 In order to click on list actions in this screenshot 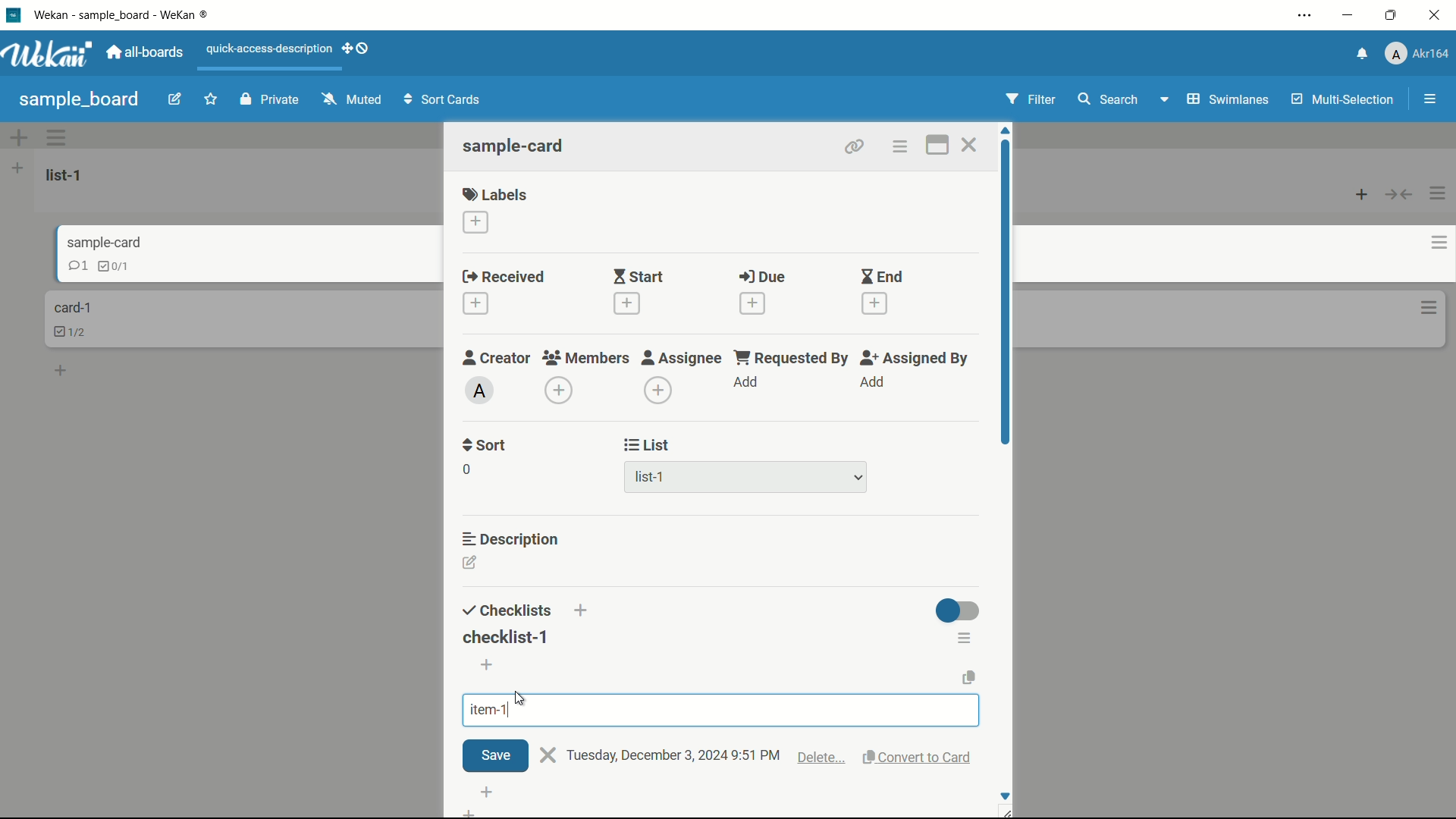, I will do `click(17, 168)`.